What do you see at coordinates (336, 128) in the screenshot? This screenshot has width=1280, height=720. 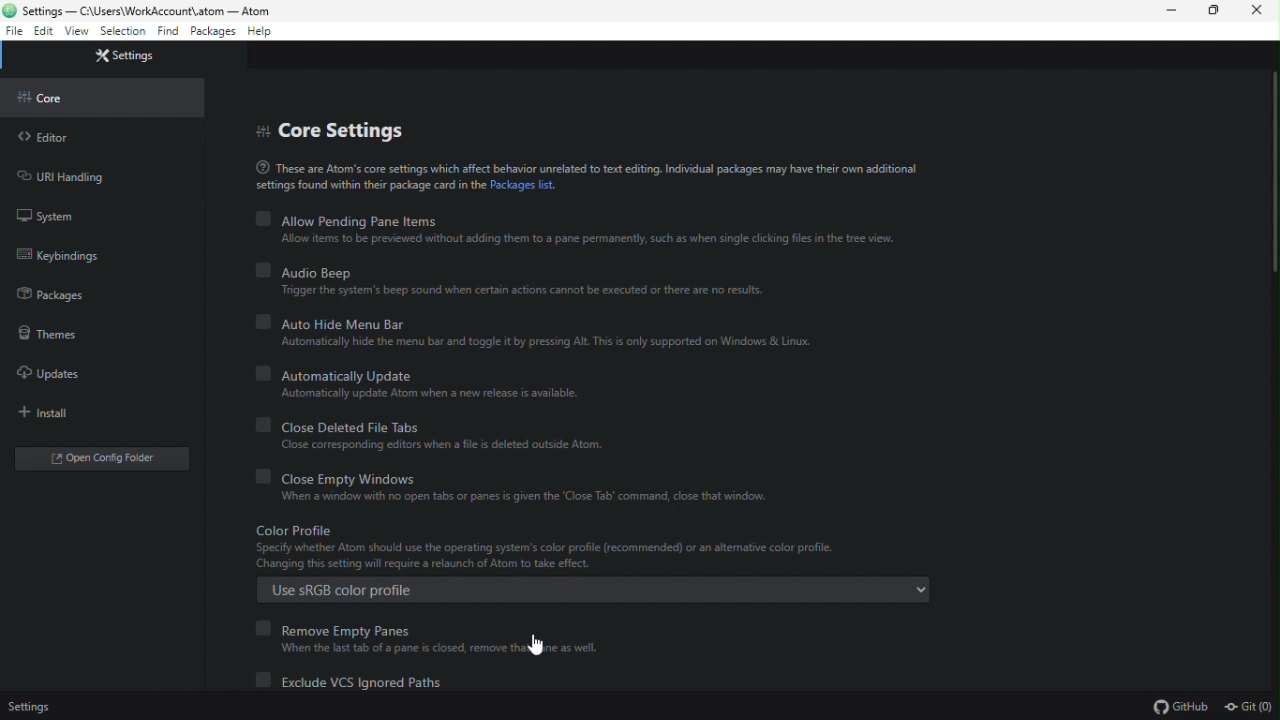 I see `core settings` at bounding box center [336, 128].